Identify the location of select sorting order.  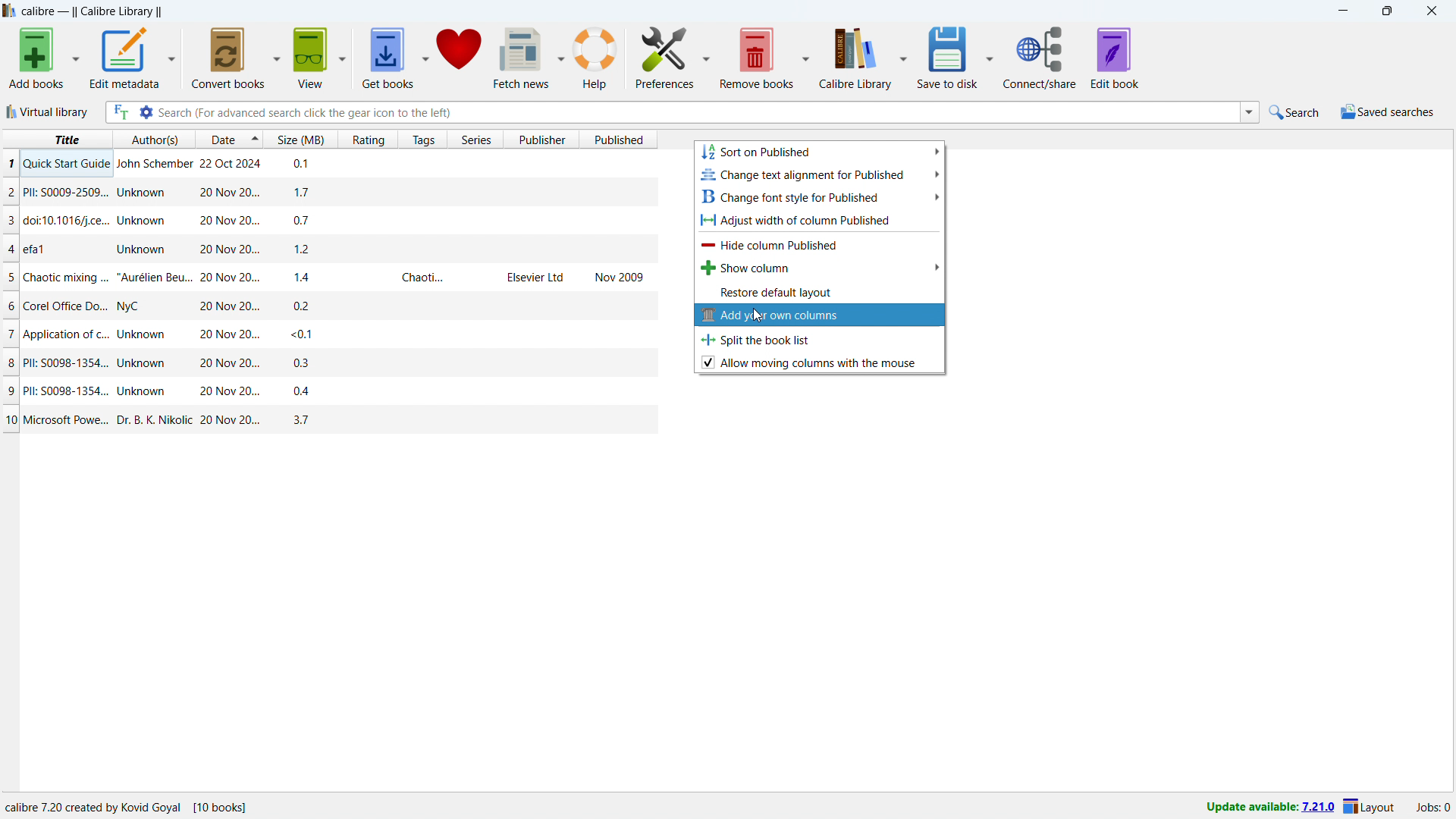
(256, 141).